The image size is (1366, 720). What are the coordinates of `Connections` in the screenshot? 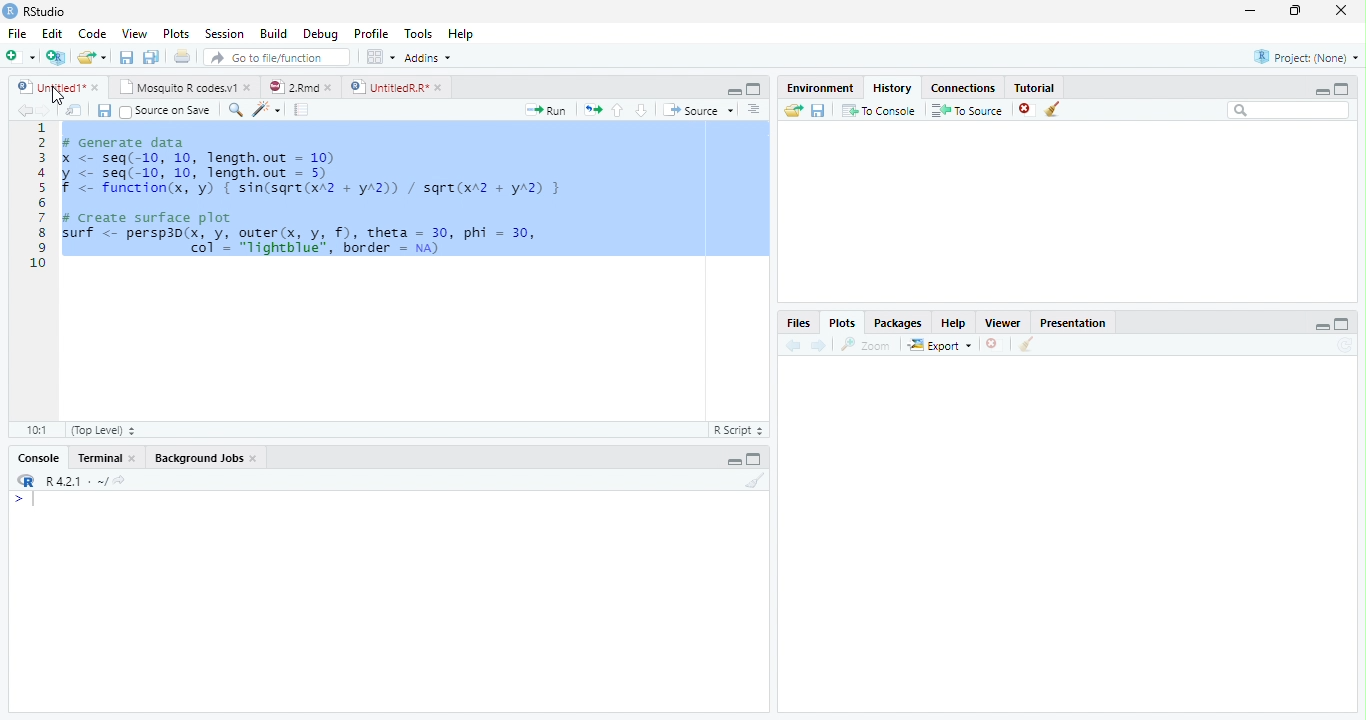 It's located at (963, 87).